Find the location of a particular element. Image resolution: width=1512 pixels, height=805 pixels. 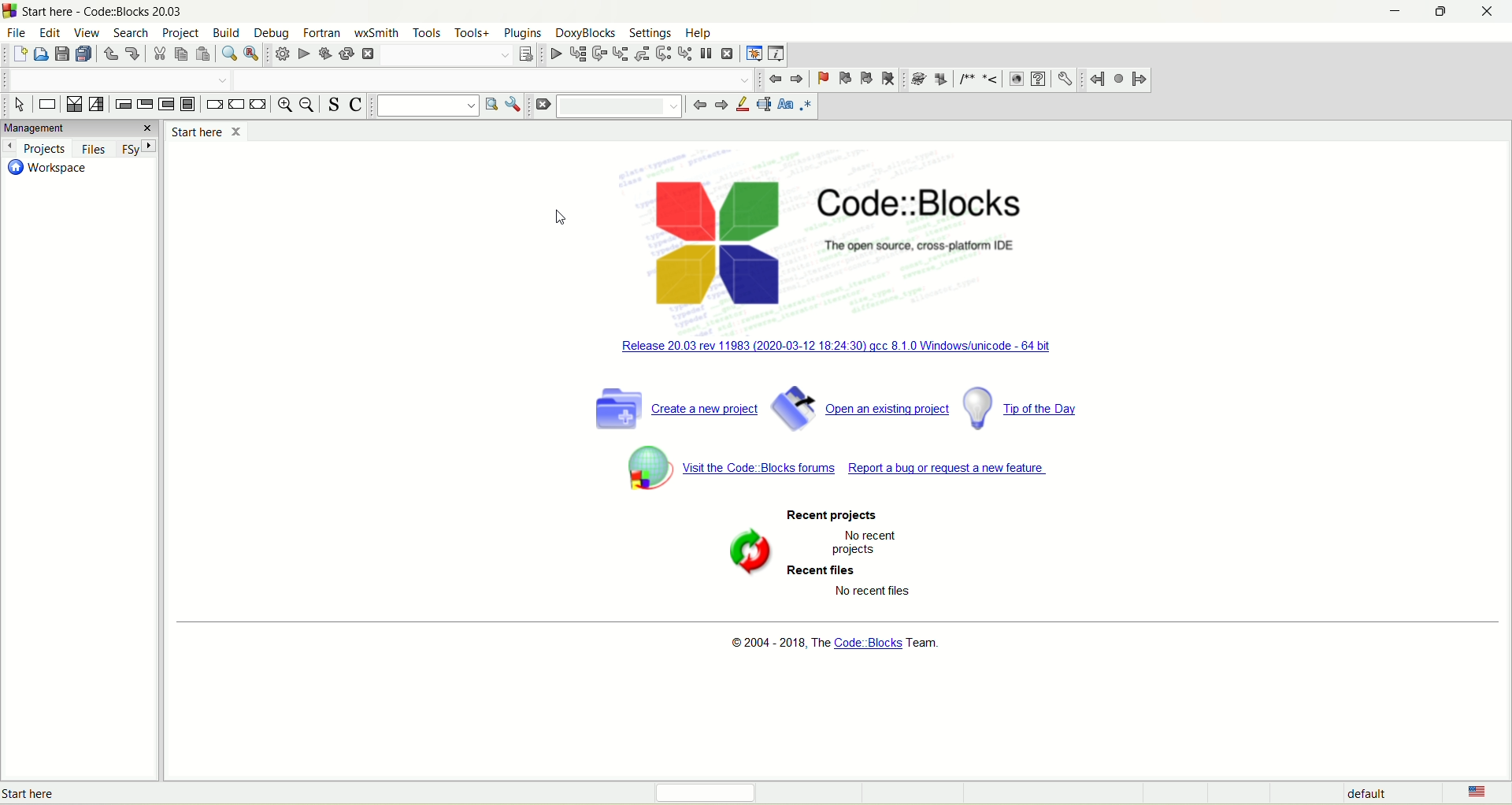

run search is located at coordinates (491, 106).